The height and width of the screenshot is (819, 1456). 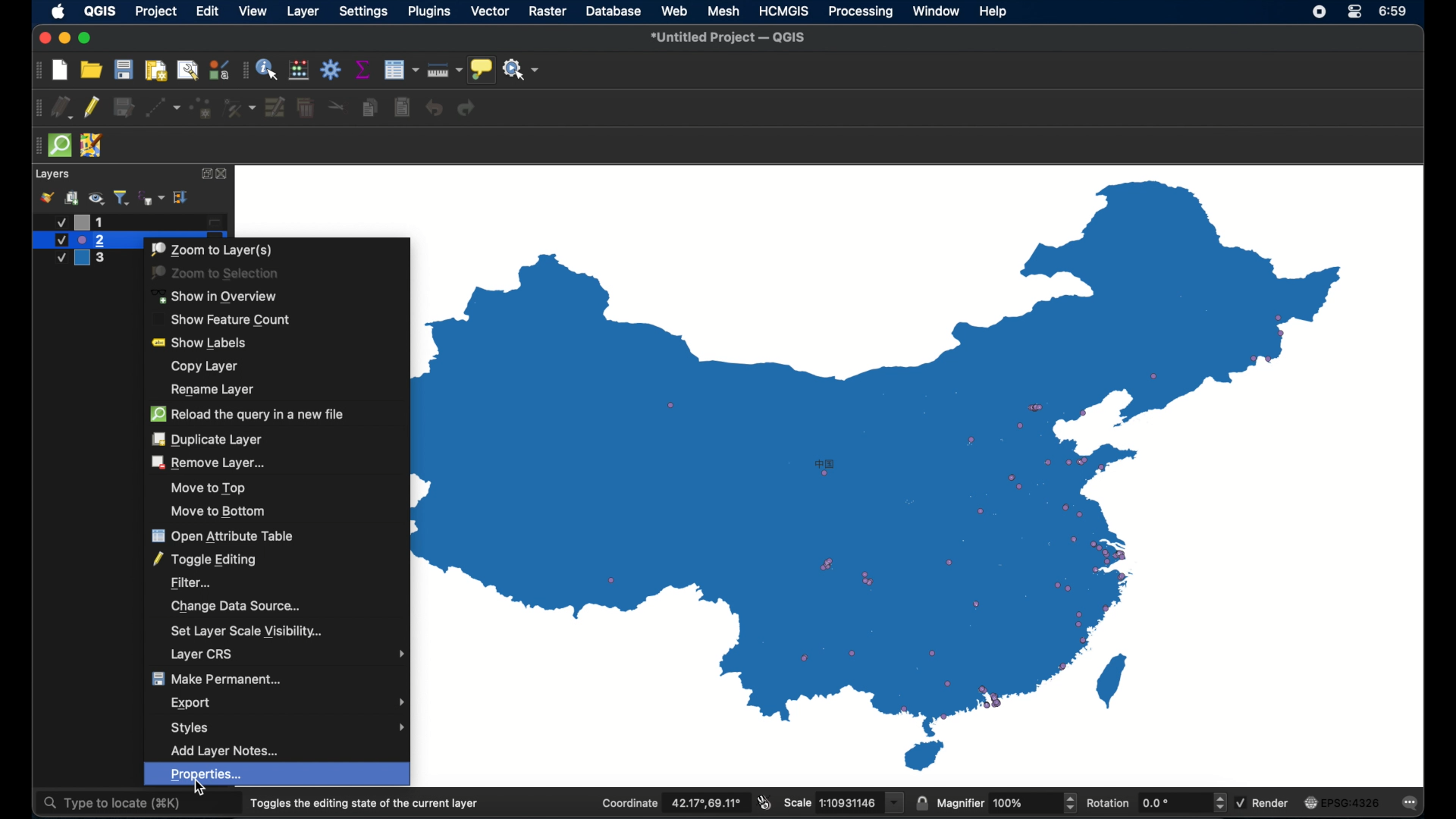 I want to click on layer  3, so click(x=89, y=259).